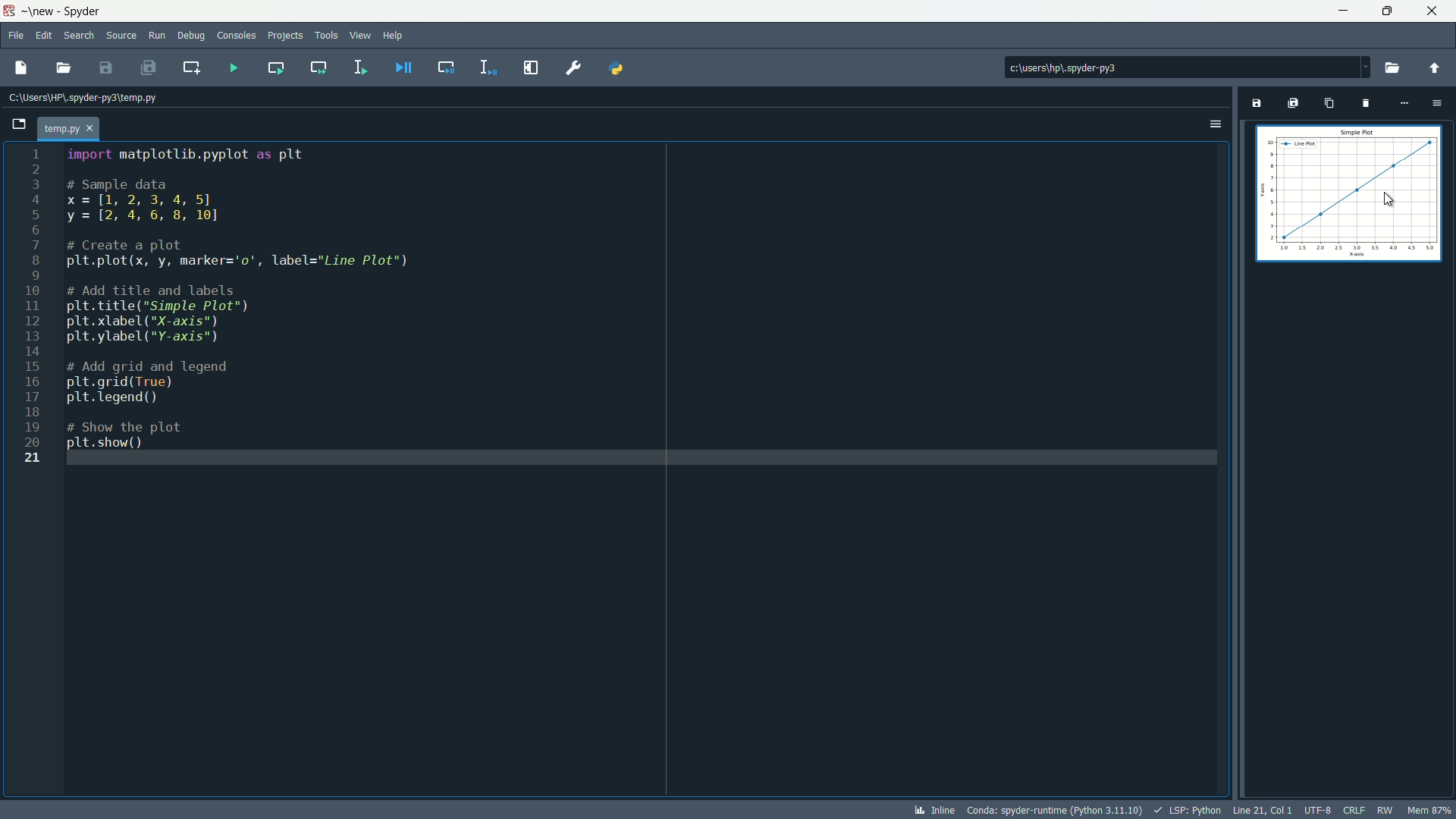 The width and height of the screenshot is (1456, 819). What do you see at coordinates (79, 127) in the screenshot?
I see `file name` at bounding box center [79, 127].